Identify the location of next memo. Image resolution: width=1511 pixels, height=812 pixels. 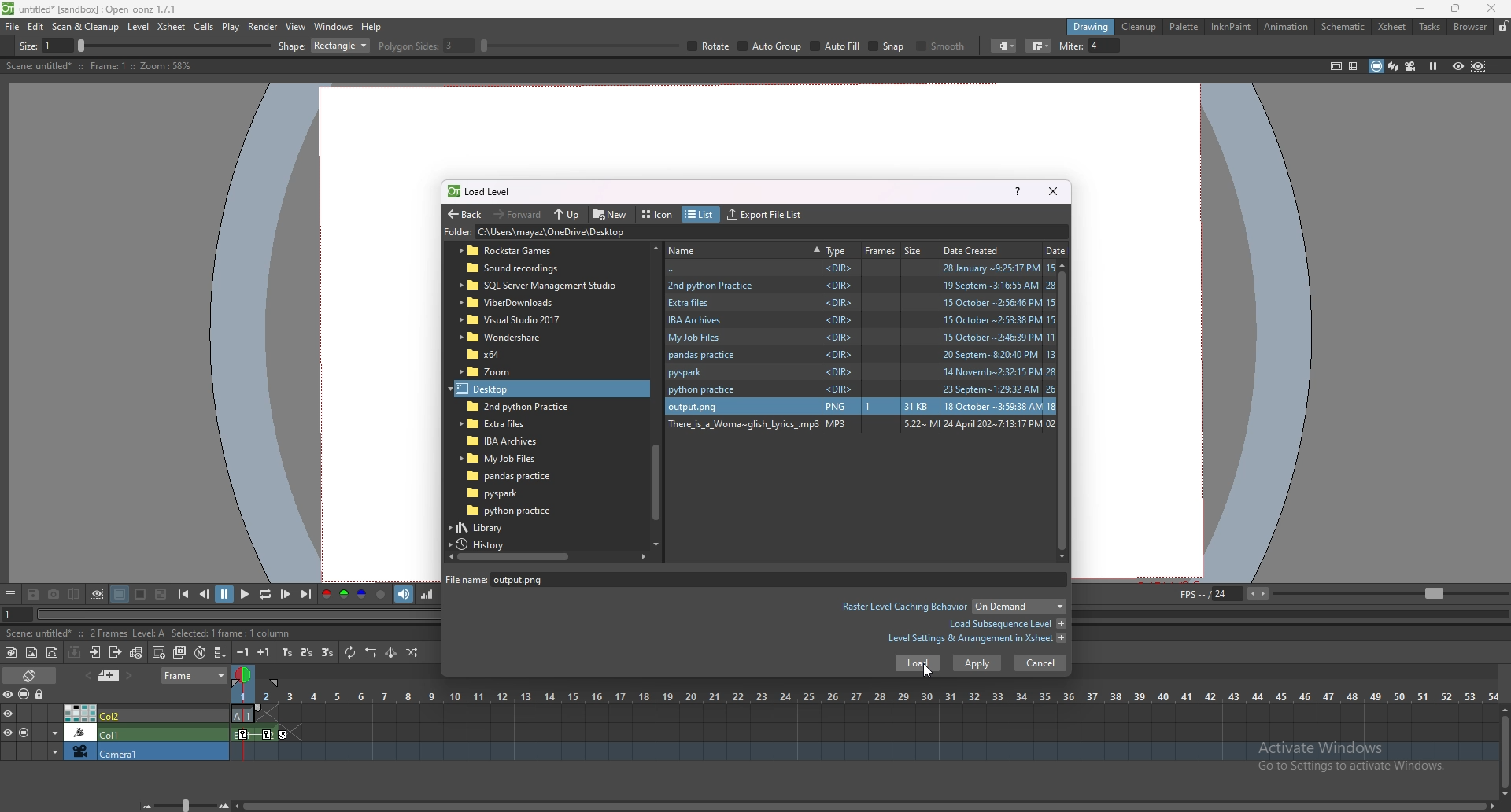
(131, 676).